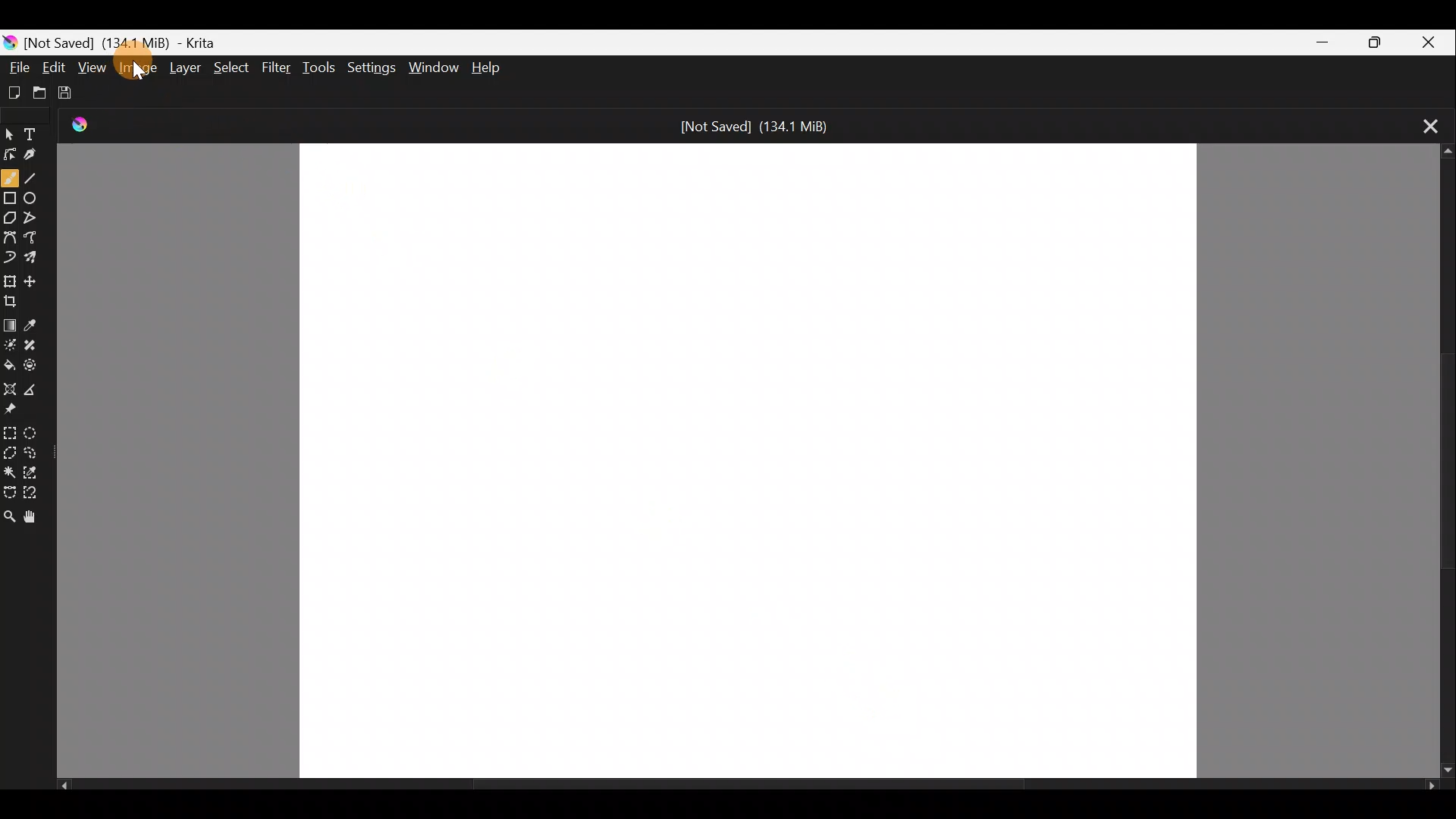 The height and width of the screenshot is (819, 1456). I want to click on Draw a gradient, so click(11, 322).